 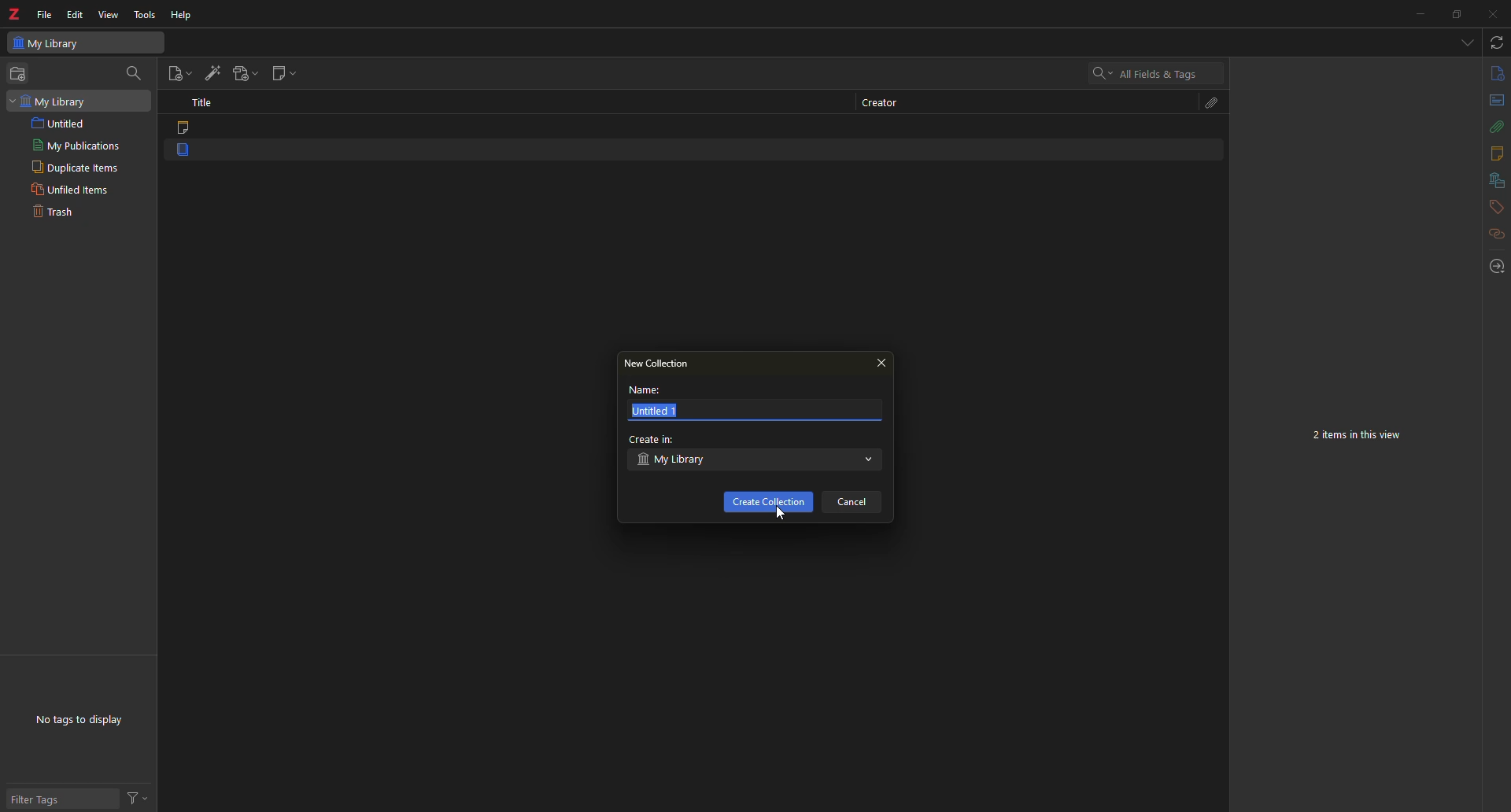 What do you see at coordinates (1457, 14) in the screenshot?
I see `maximize` at bounding box center [1457, 14].